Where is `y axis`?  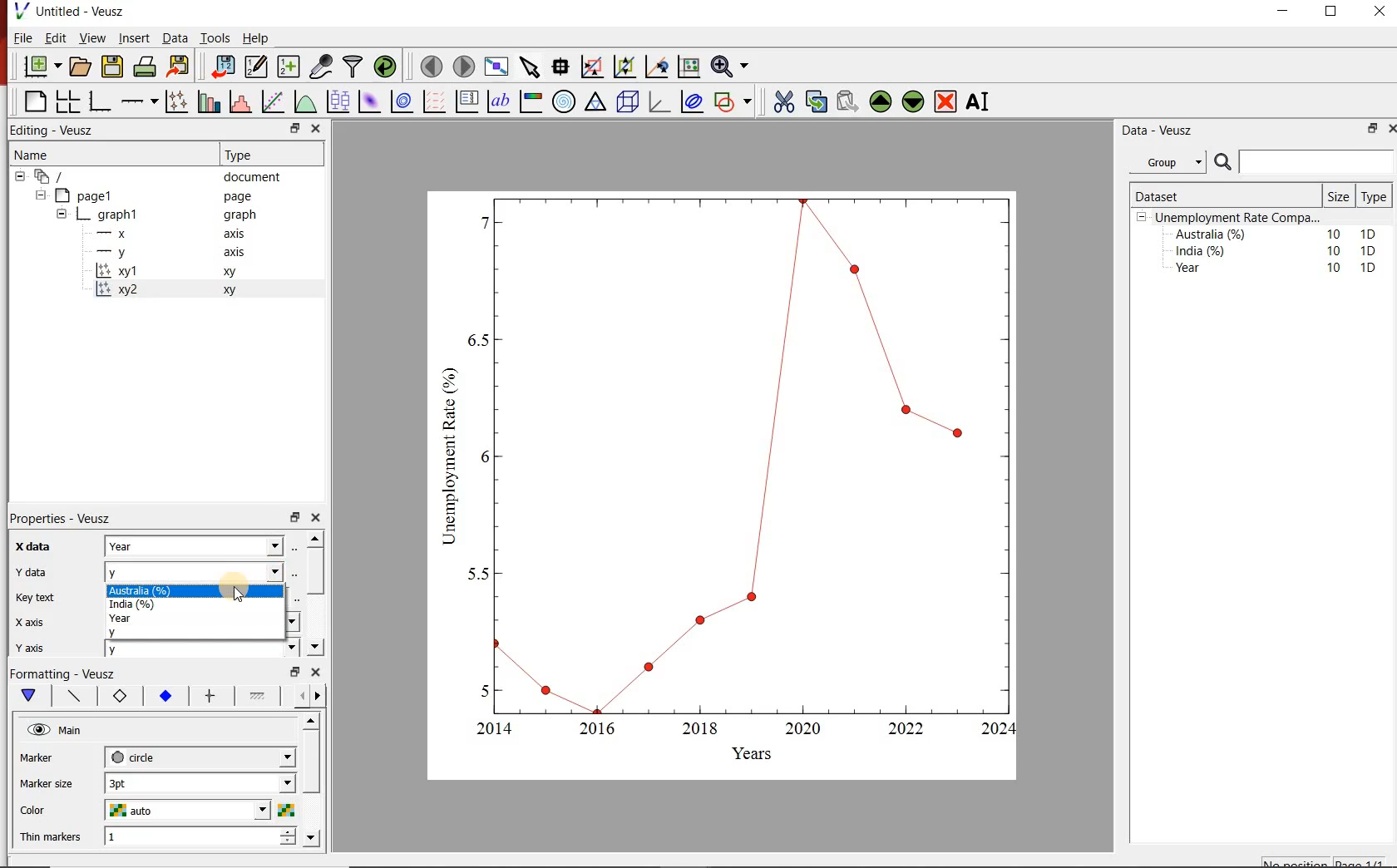
y axis is located at coordinates (180, 253).